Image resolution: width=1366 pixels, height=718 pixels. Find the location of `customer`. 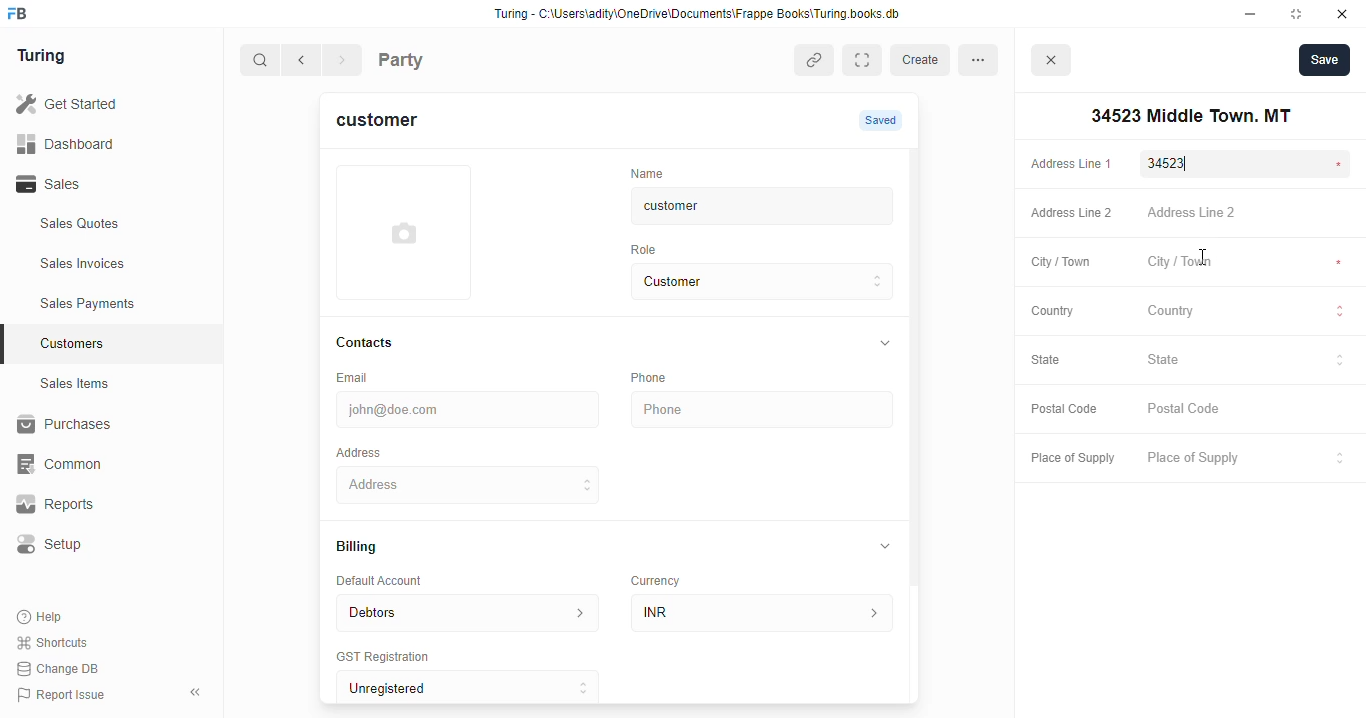

customer is located at coordinates (746, 206).